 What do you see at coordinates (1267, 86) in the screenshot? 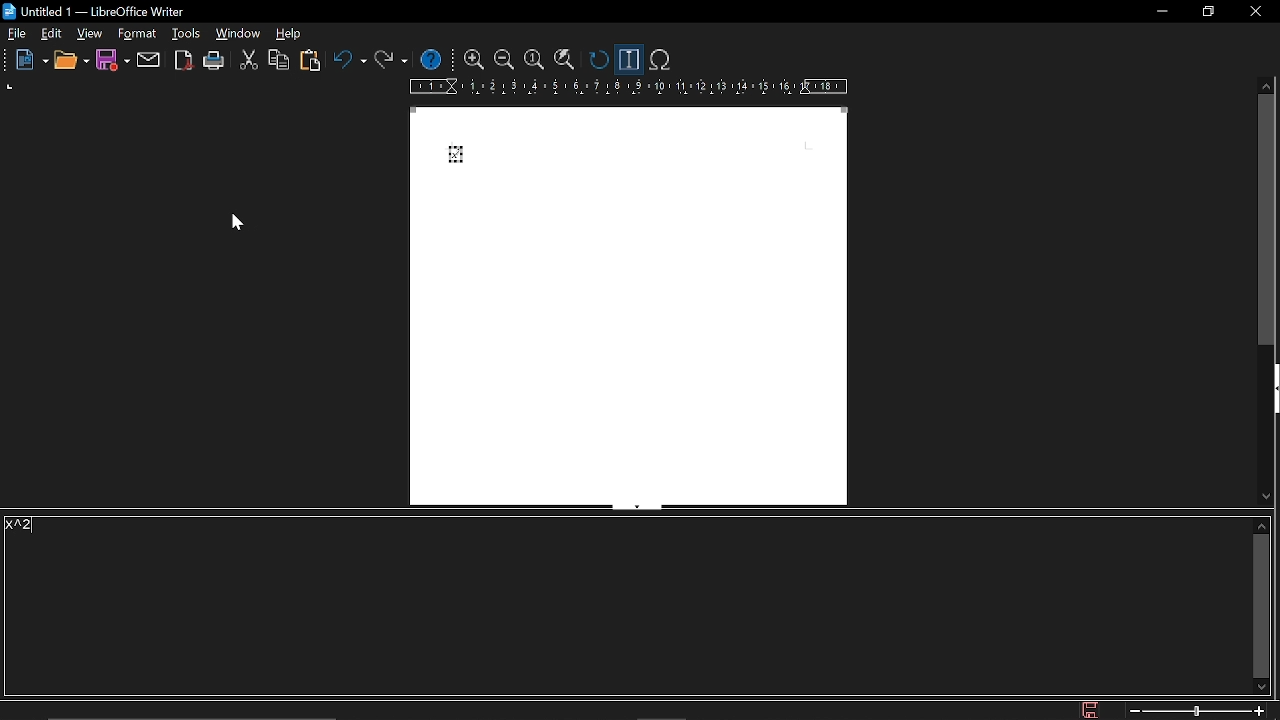
I see `move up` at bounding box center [1267, 86].